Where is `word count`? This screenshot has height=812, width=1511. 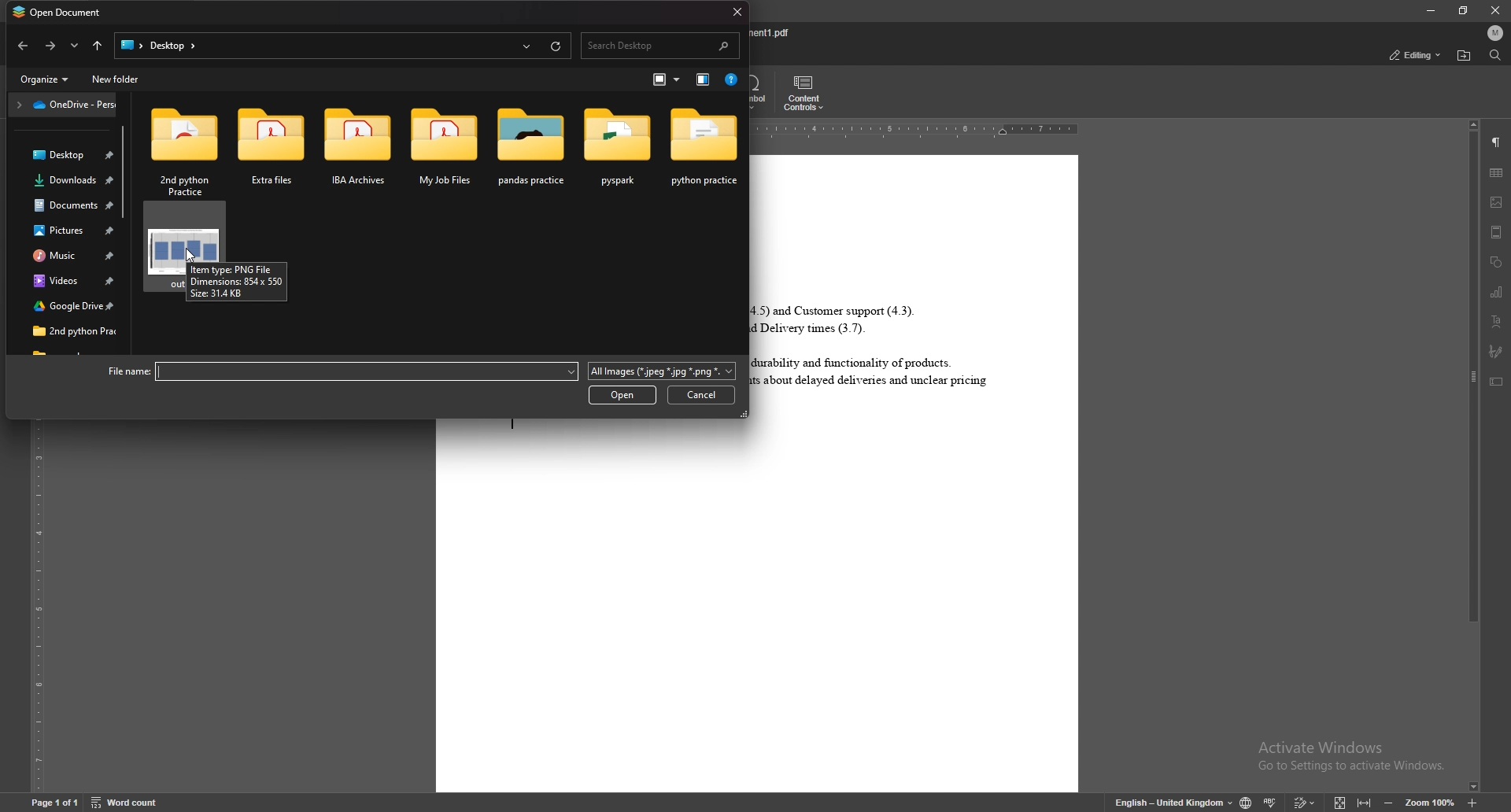 word count is located at coordinates (127, 802).